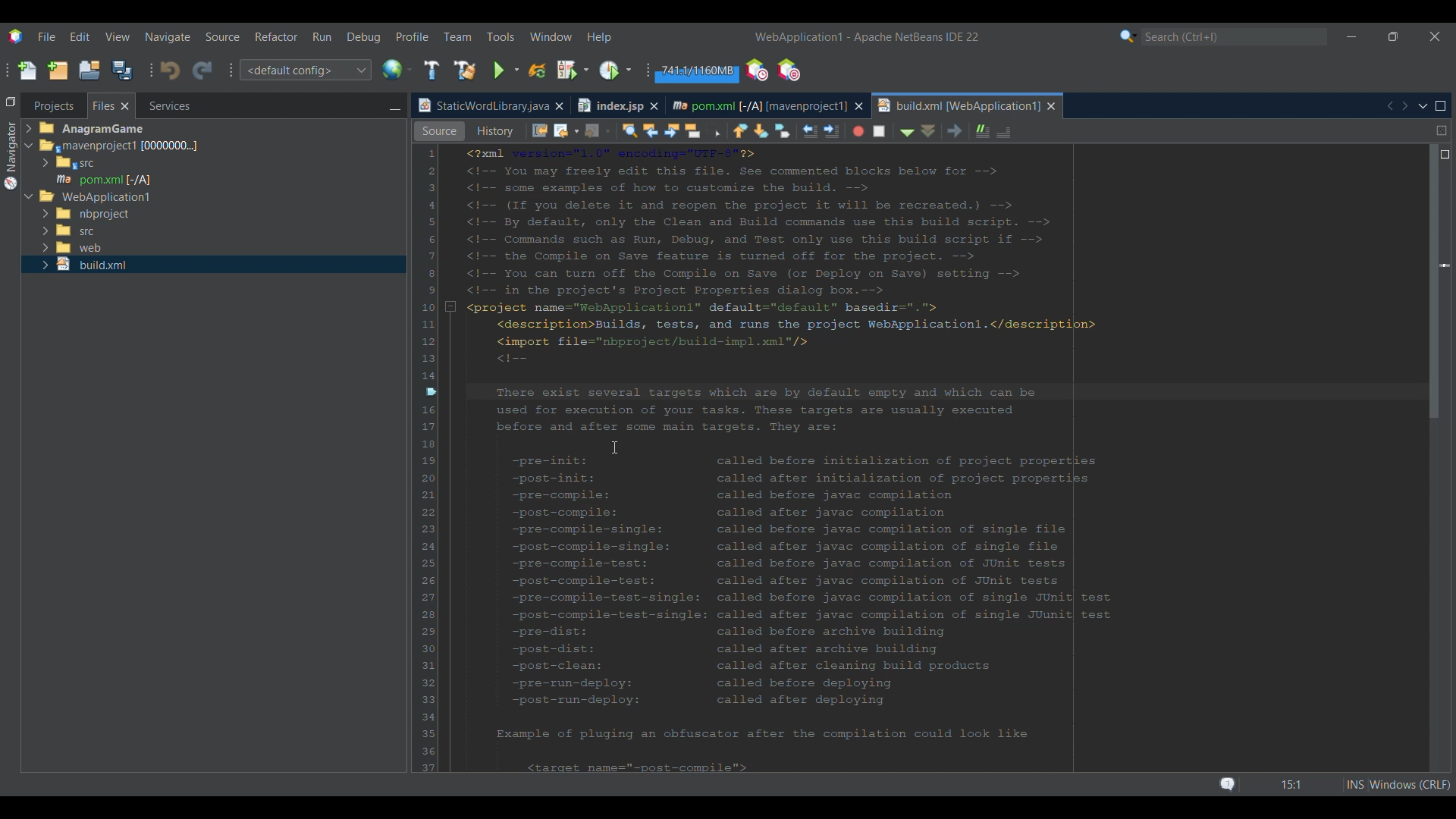  Describe the element at coordinates (944, 132) in the screenshot. I see `Shift line left` at that location.